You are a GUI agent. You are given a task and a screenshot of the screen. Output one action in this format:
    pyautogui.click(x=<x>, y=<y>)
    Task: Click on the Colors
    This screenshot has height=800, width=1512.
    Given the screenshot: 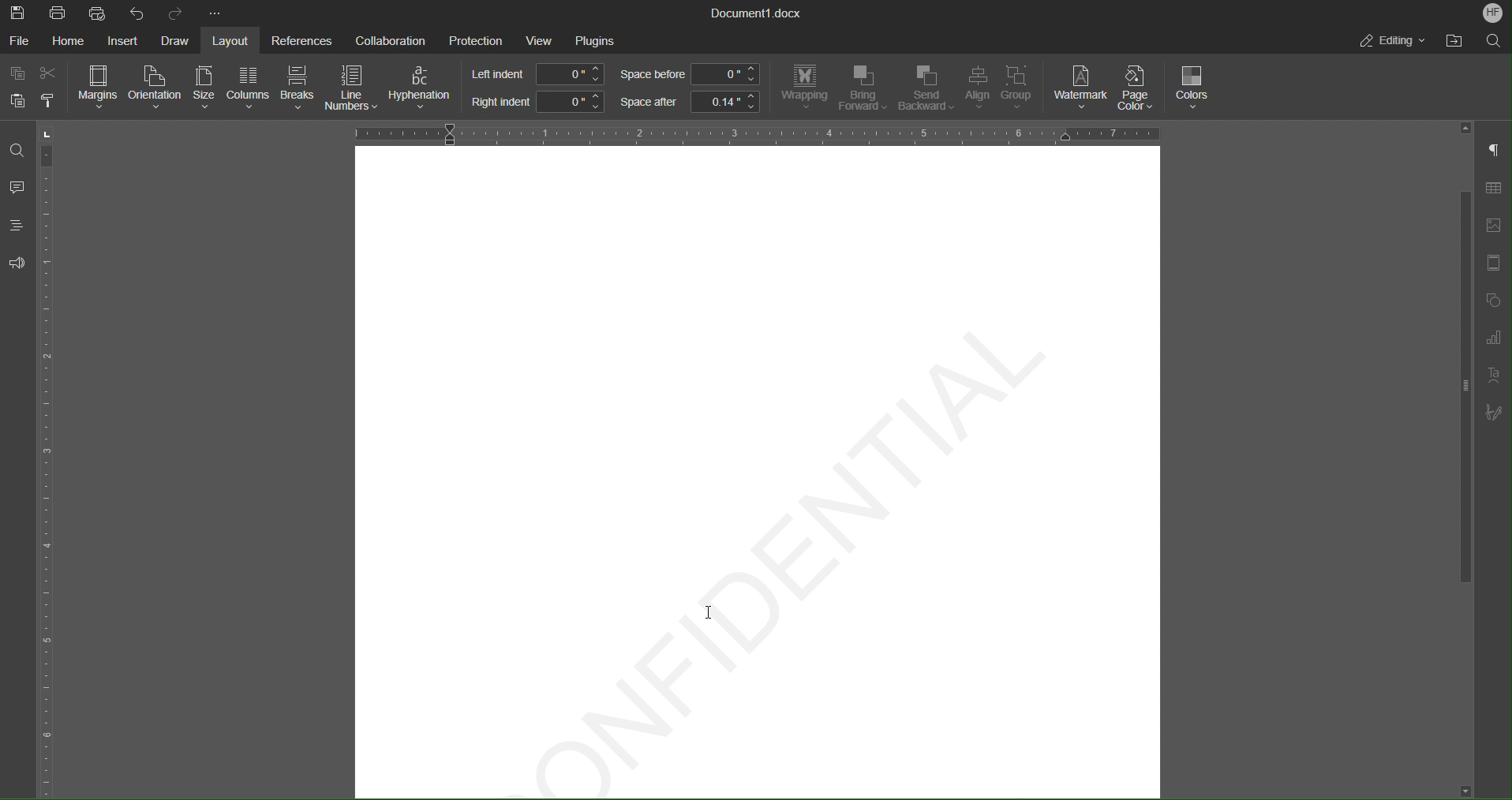 What is the action you would take?
    pyautogui.click(x=1194, y=88)
    